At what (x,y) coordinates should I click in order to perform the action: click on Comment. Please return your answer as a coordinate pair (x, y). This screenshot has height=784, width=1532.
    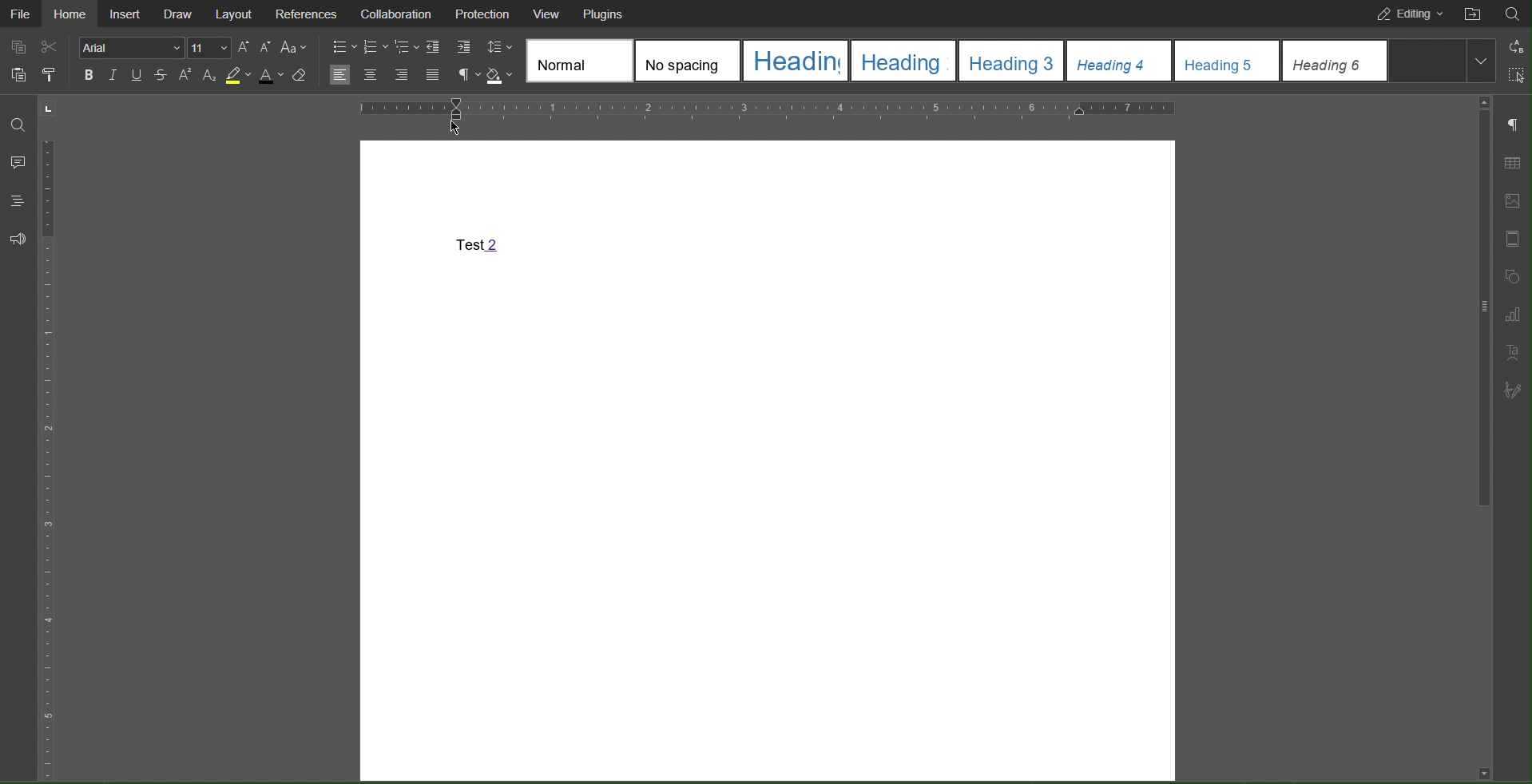
    Looking at the image, I should click on (18, 163).